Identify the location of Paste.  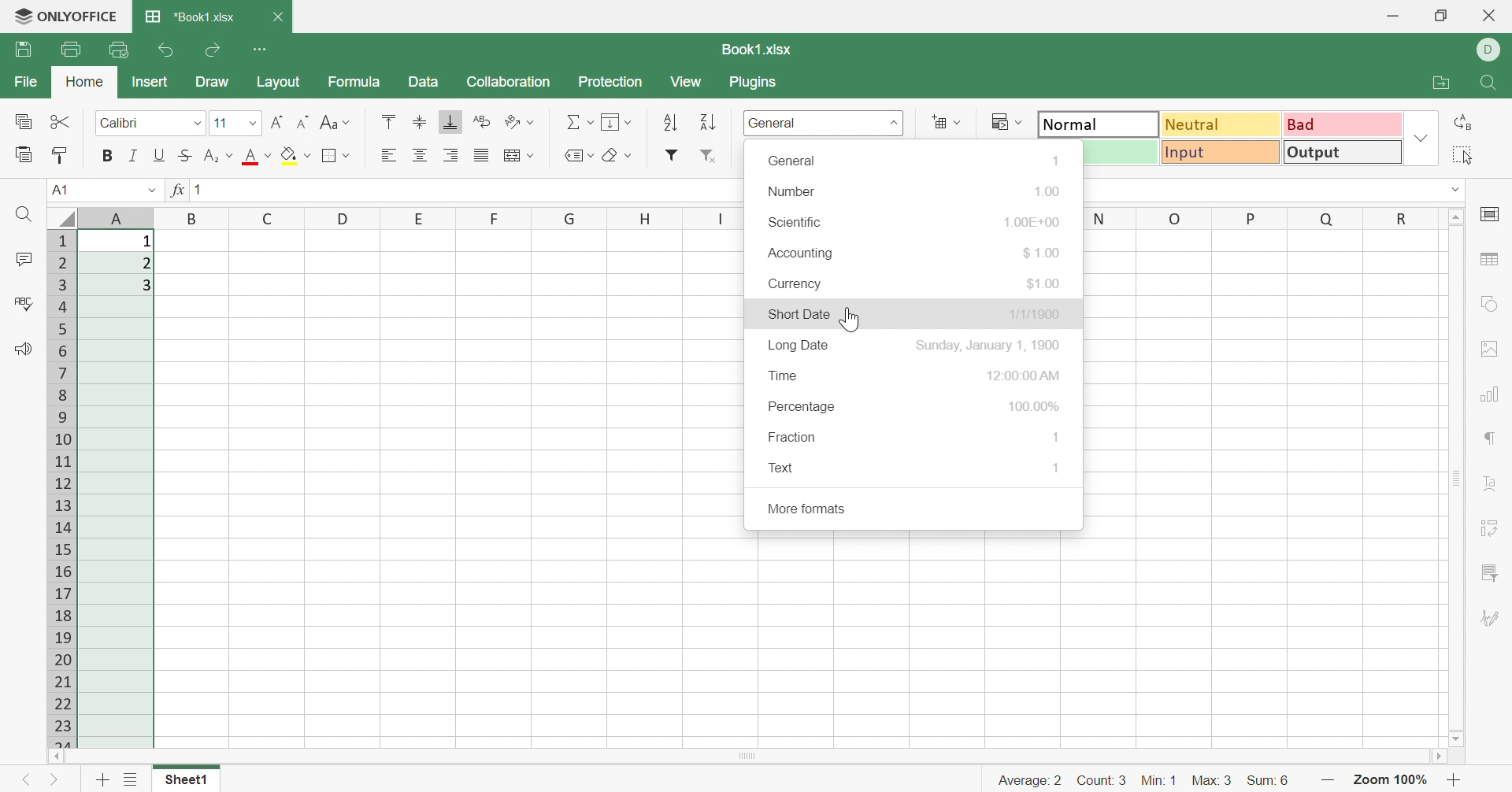
(24, 154).